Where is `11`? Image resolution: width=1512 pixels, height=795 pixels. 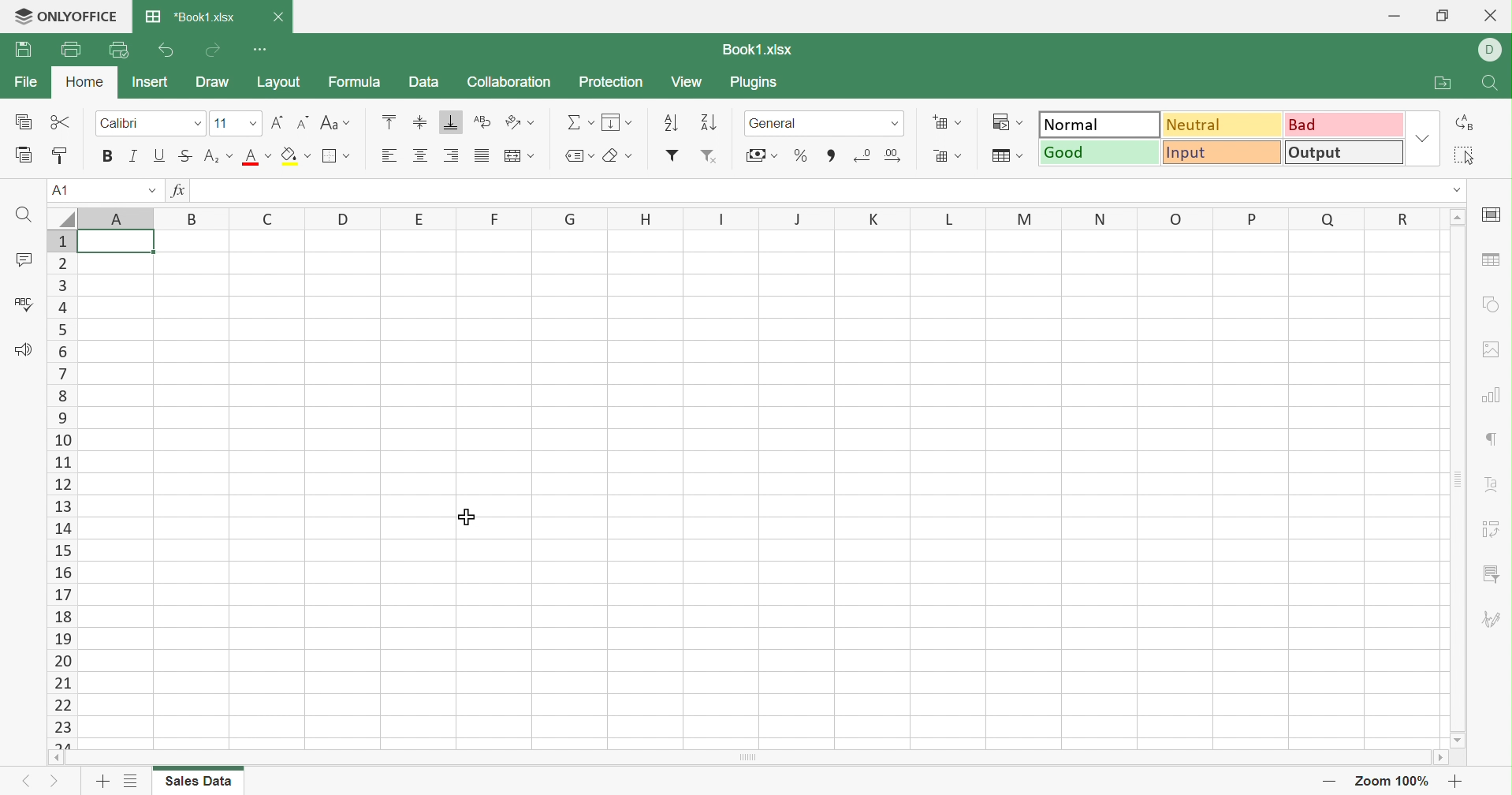 11 is located at coordinates (223, 121).